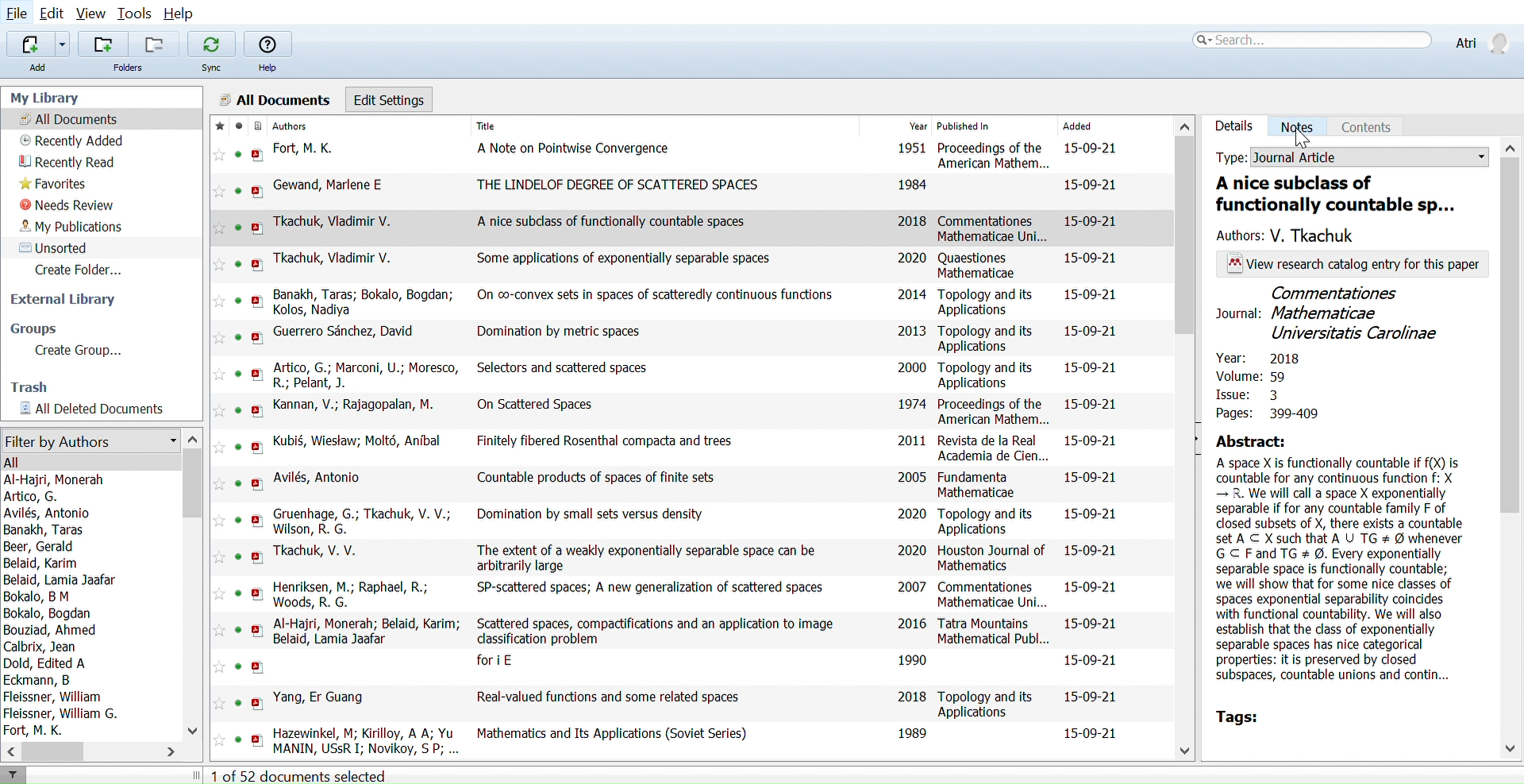  What do you see at coordinates (994, 156) in the screenshot?
I see `Proceedings of the American Mathem...` at bounding box center [994, 156].